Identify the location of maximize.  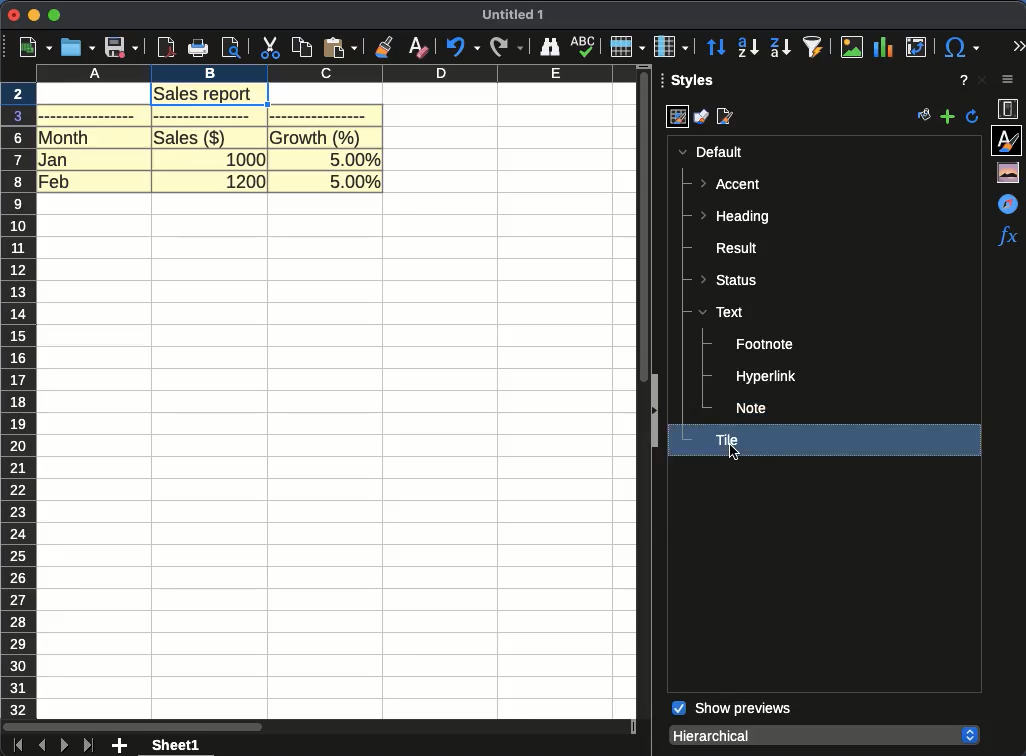
(56, 16).